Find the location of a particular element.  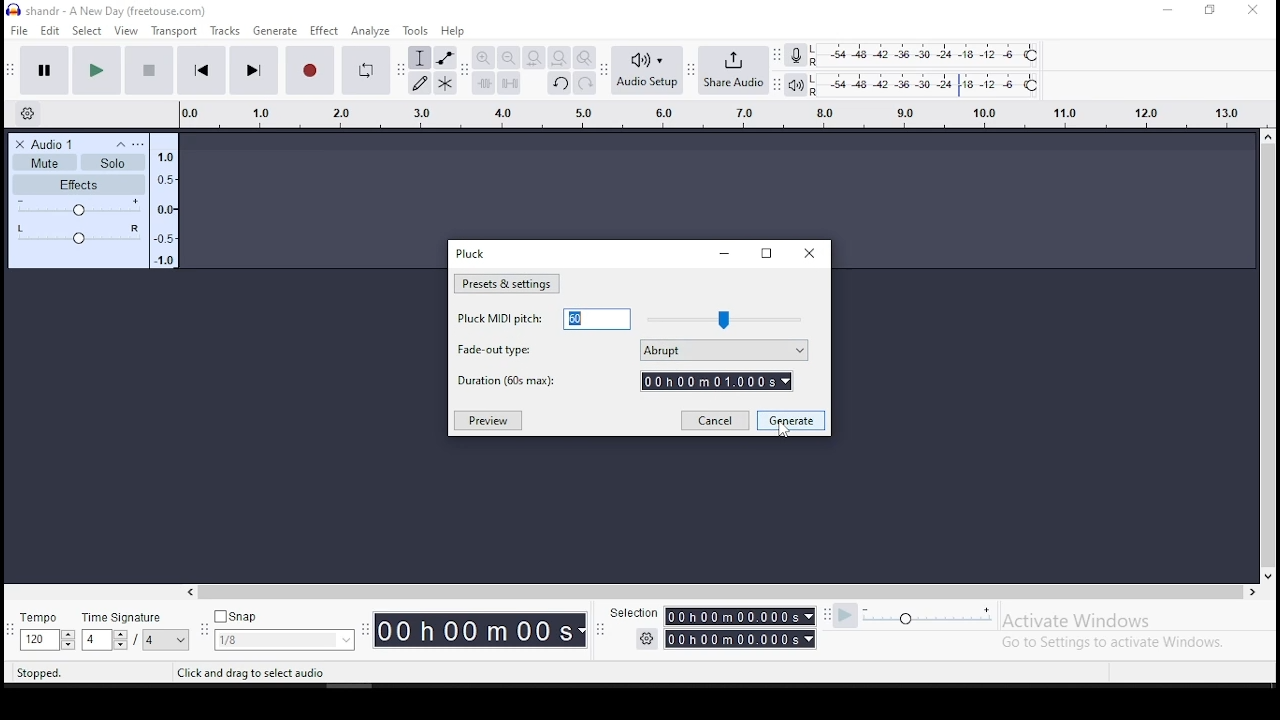

enable looping is located at coordinates (366, 70).